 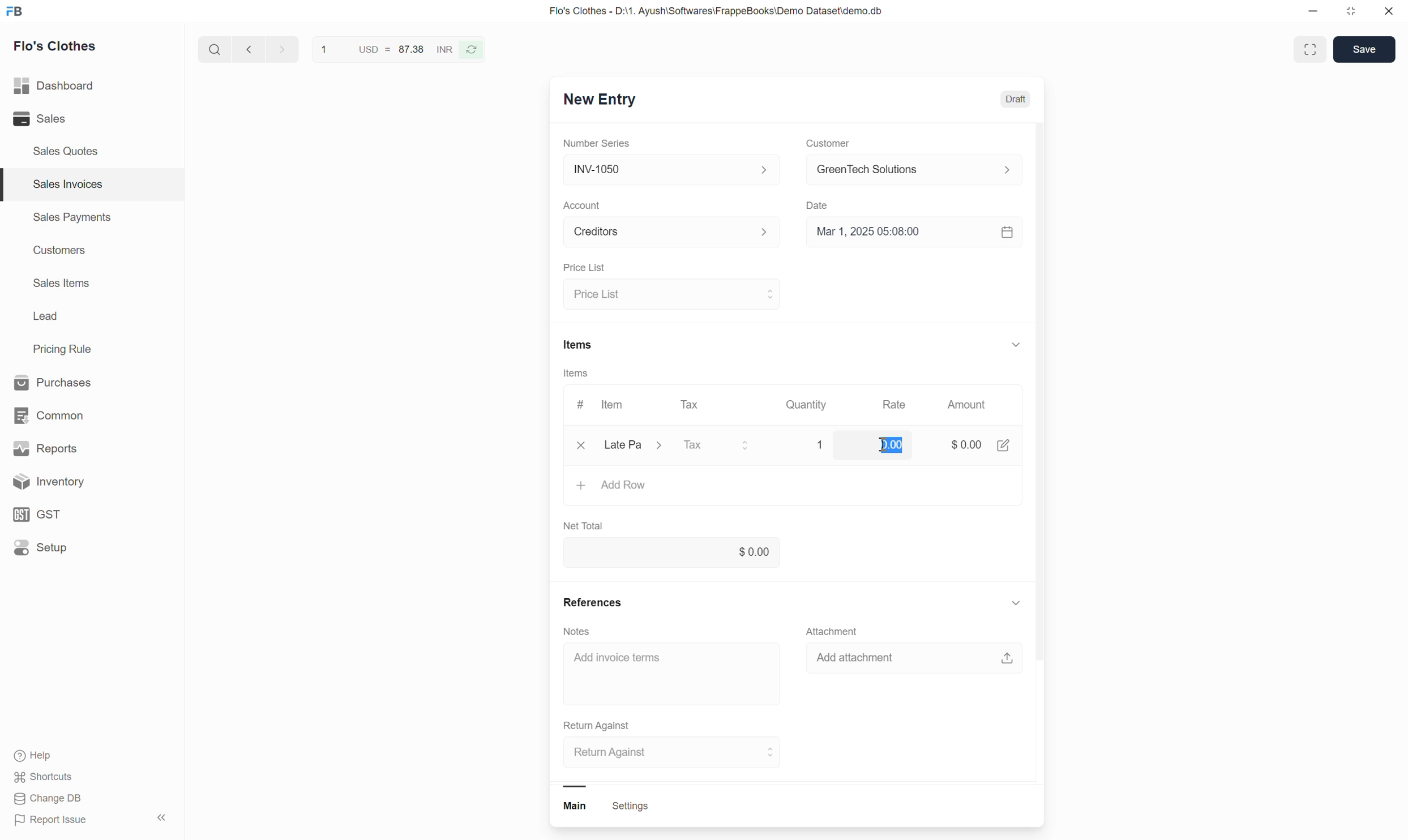 What do you see at coordinates (911, 172) in the screenshot?
I see `select customer` at bounding box center [911, 172].